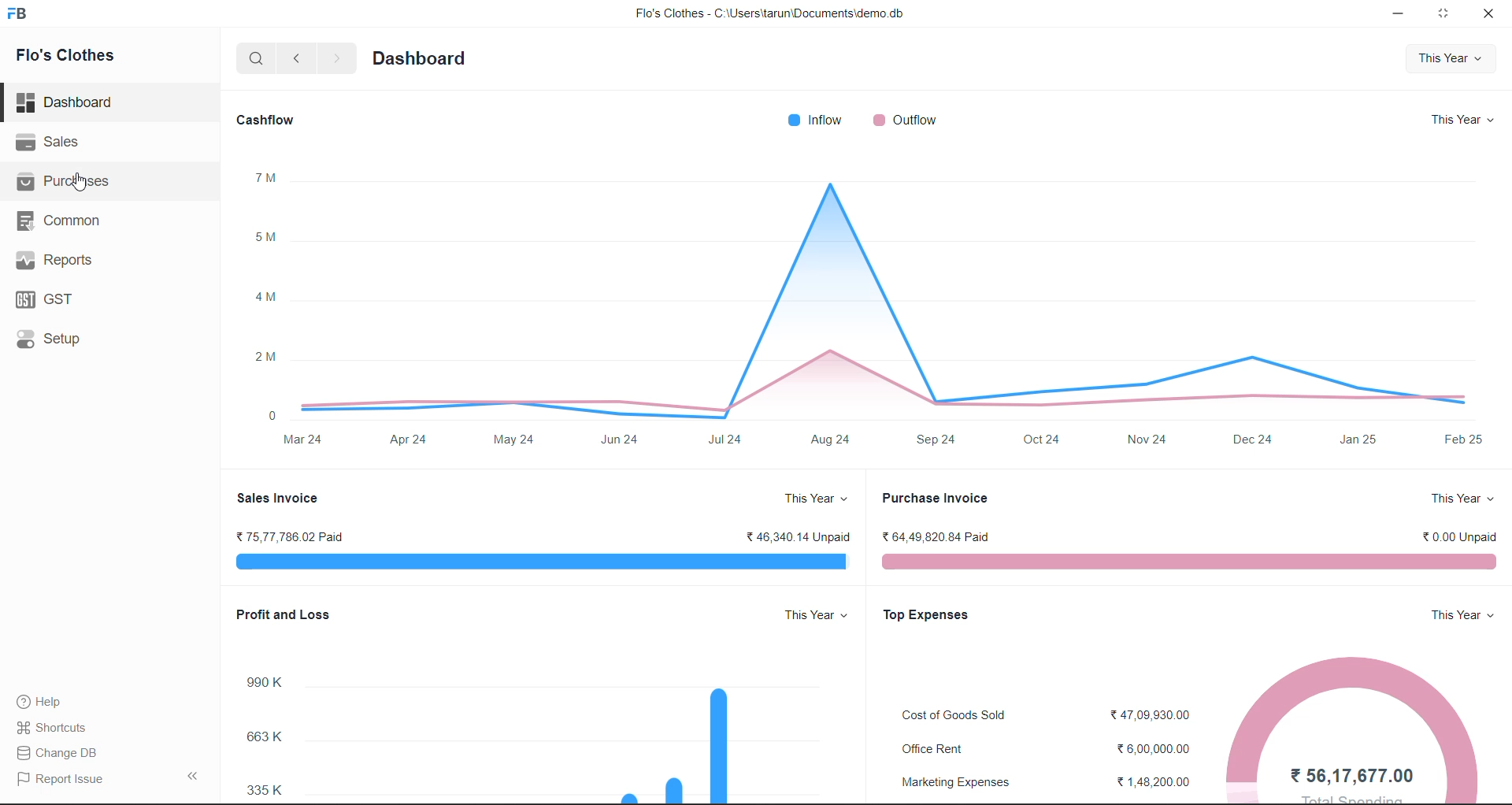 This screenshot has height=805, width=1512. What do you see at coordinates (413, 440) in the screenshot?
I see `Apr 24` at bounding box center [413, 440].